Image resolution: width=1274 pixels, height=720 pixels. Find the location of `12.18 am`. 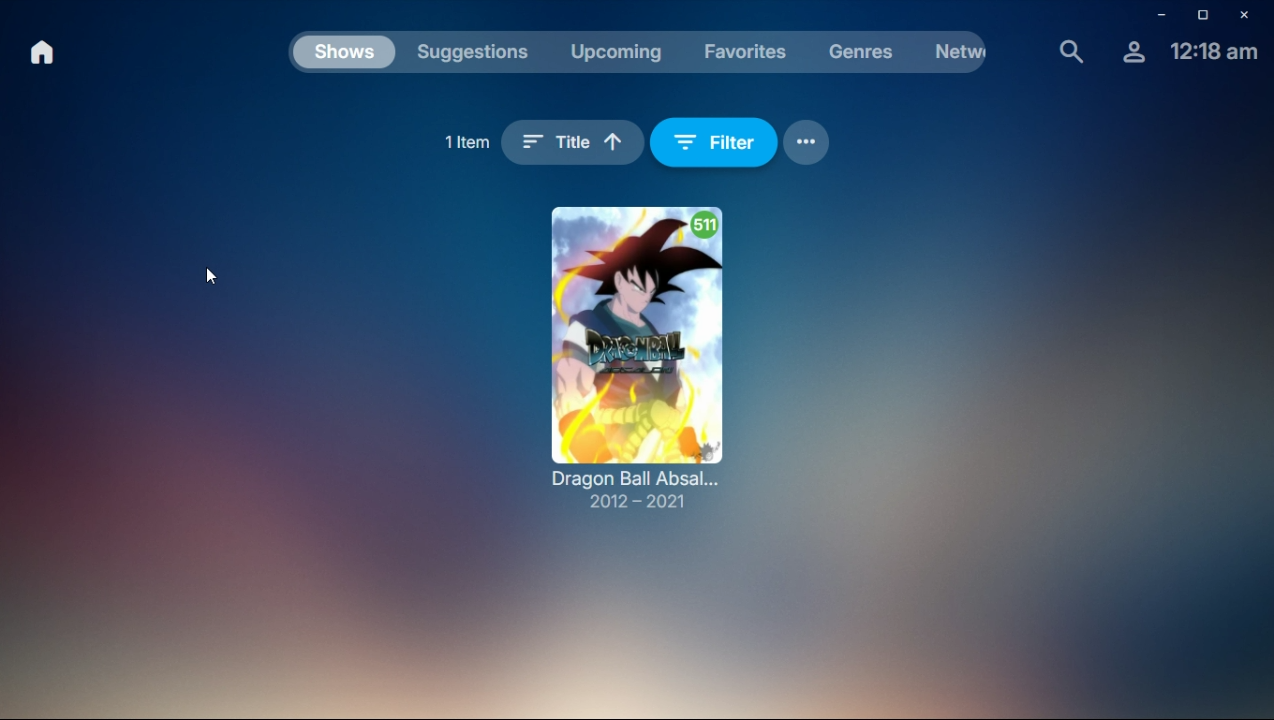

12.18 am is located at coordinates (1214, 52).